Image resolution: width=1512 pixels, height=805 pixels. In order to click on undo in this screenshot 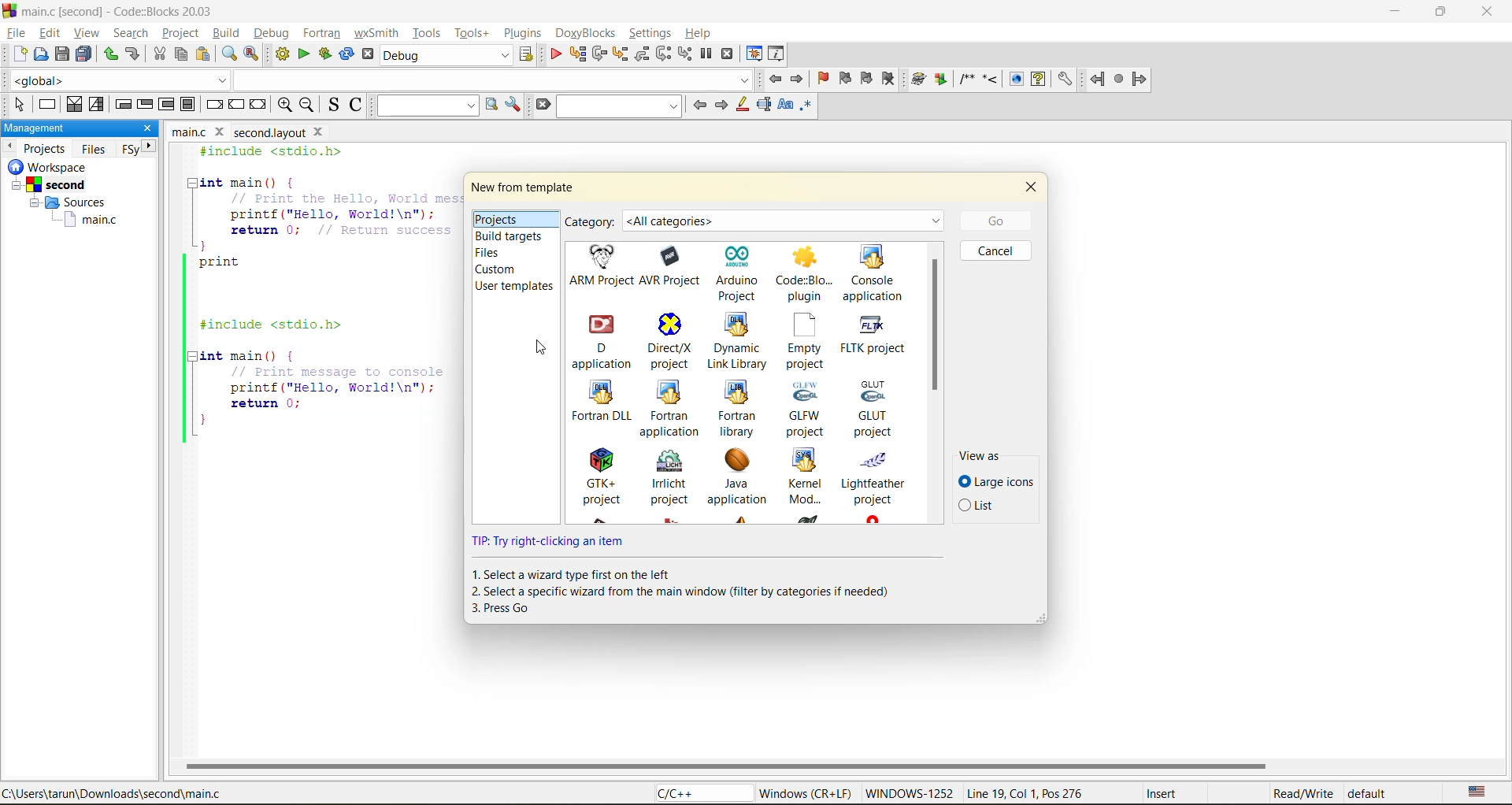, I will do `click(108, 54)`.